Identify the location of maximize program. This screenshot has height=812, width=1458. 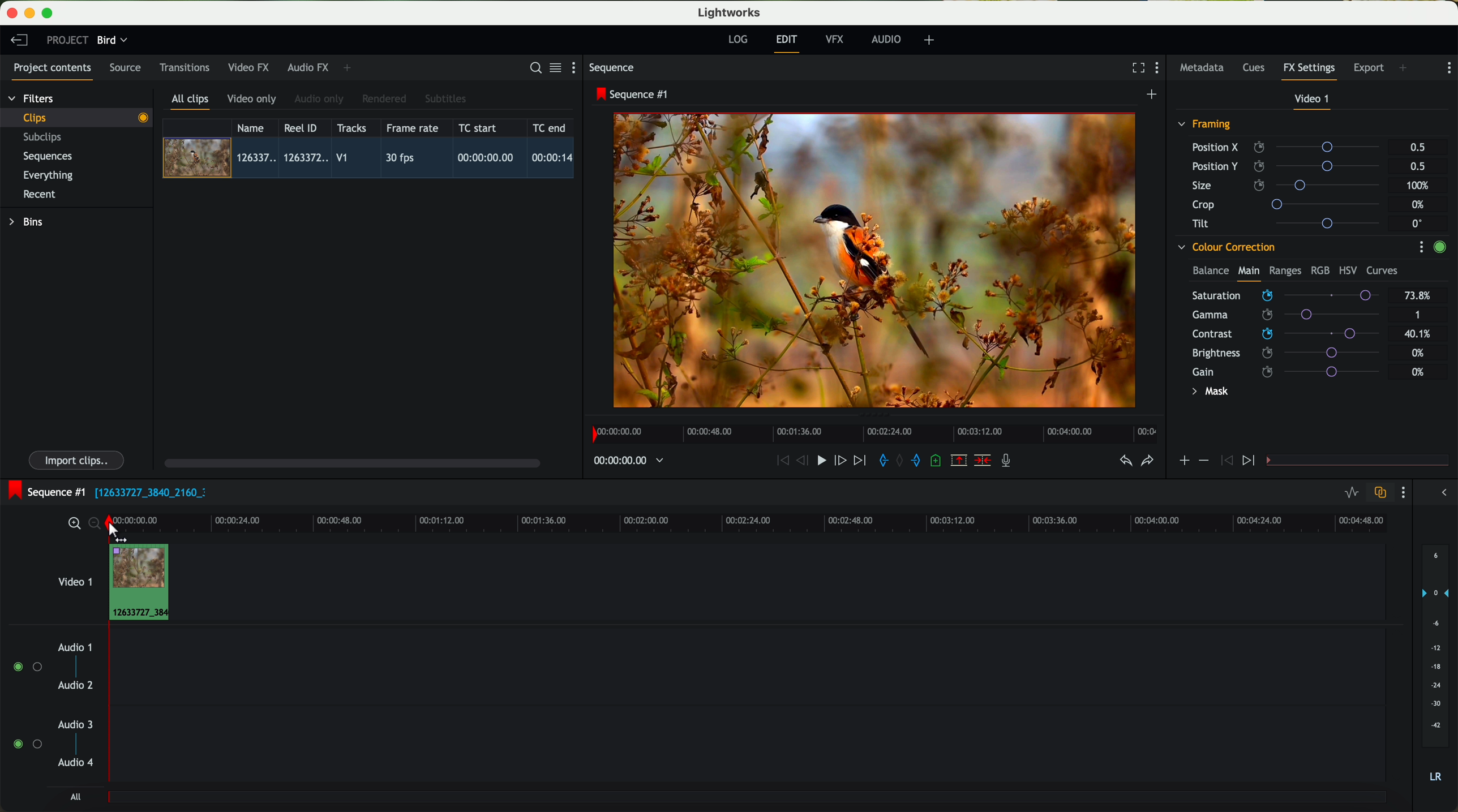
(49, 14).